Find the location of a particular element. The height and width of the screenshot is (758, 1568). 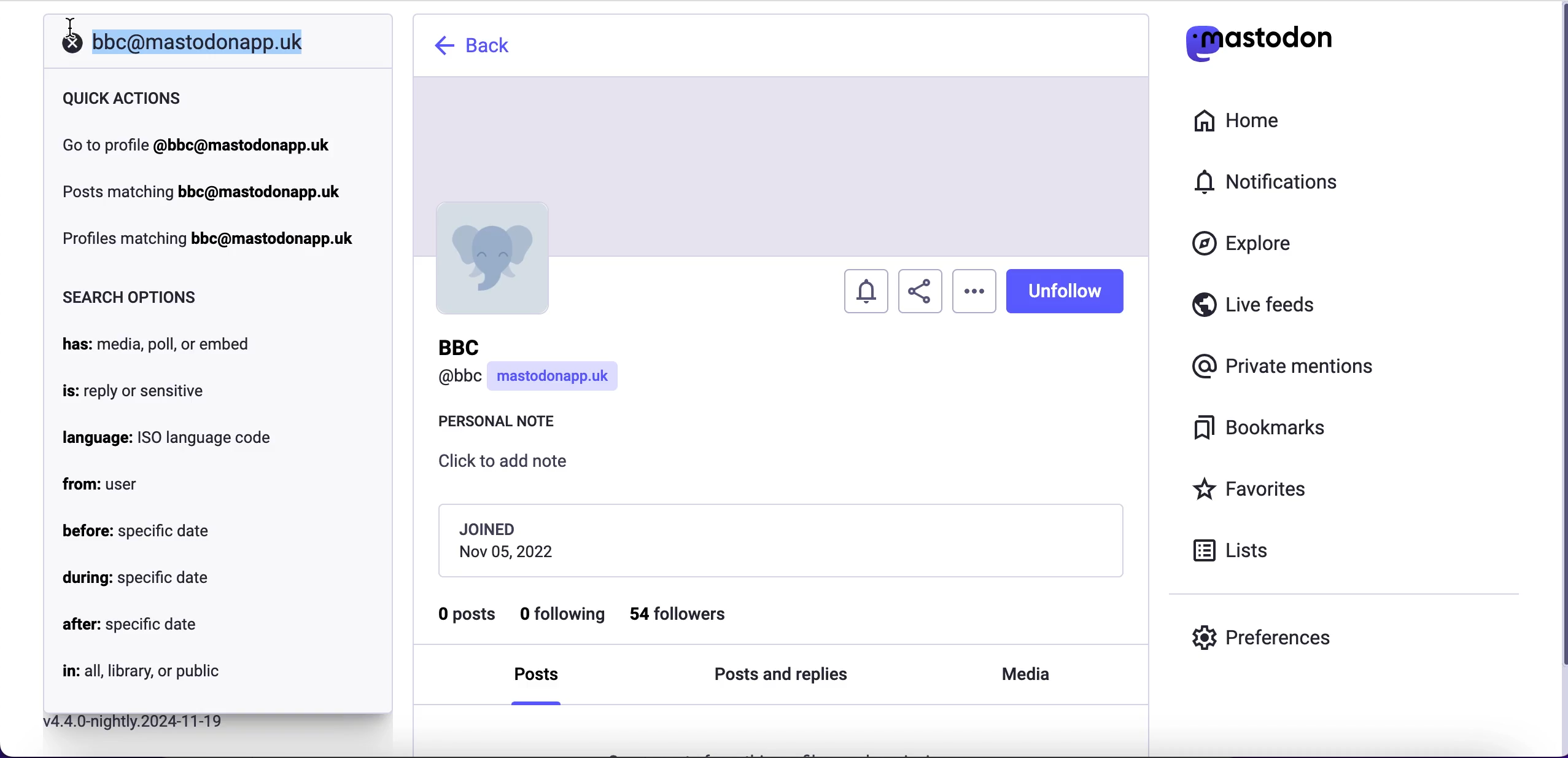

close is located at coordinates (71, 49).